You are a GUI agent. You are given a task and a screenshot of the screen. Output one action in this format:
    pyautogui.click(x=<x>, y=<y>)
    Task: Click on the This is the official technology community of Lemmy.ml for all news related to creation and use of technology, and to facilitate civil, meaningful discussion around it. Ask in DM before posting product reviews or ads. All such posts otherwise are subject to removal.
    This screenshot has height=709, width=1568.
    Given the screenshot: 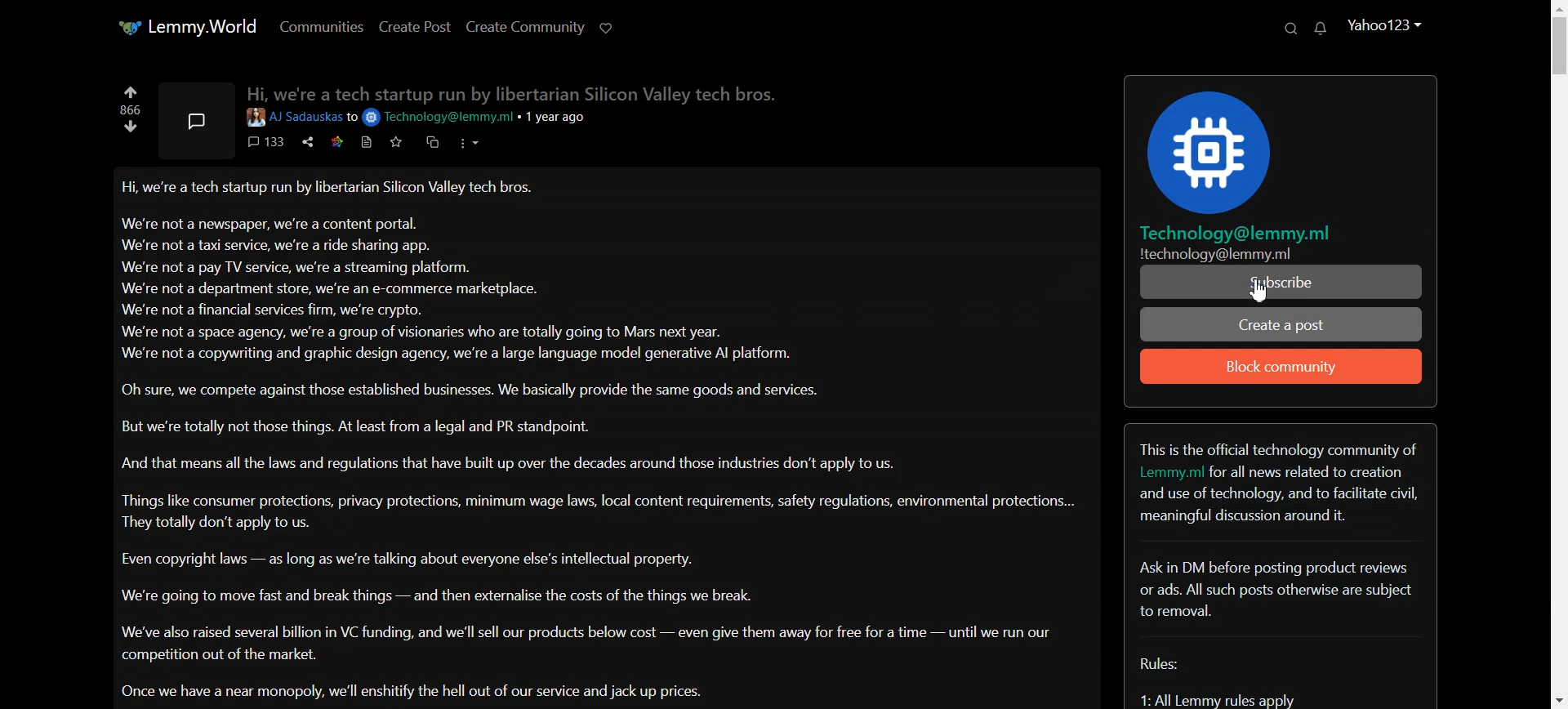 What is the action you would take?
    pyautogui.click(x=1281, y=528)
    